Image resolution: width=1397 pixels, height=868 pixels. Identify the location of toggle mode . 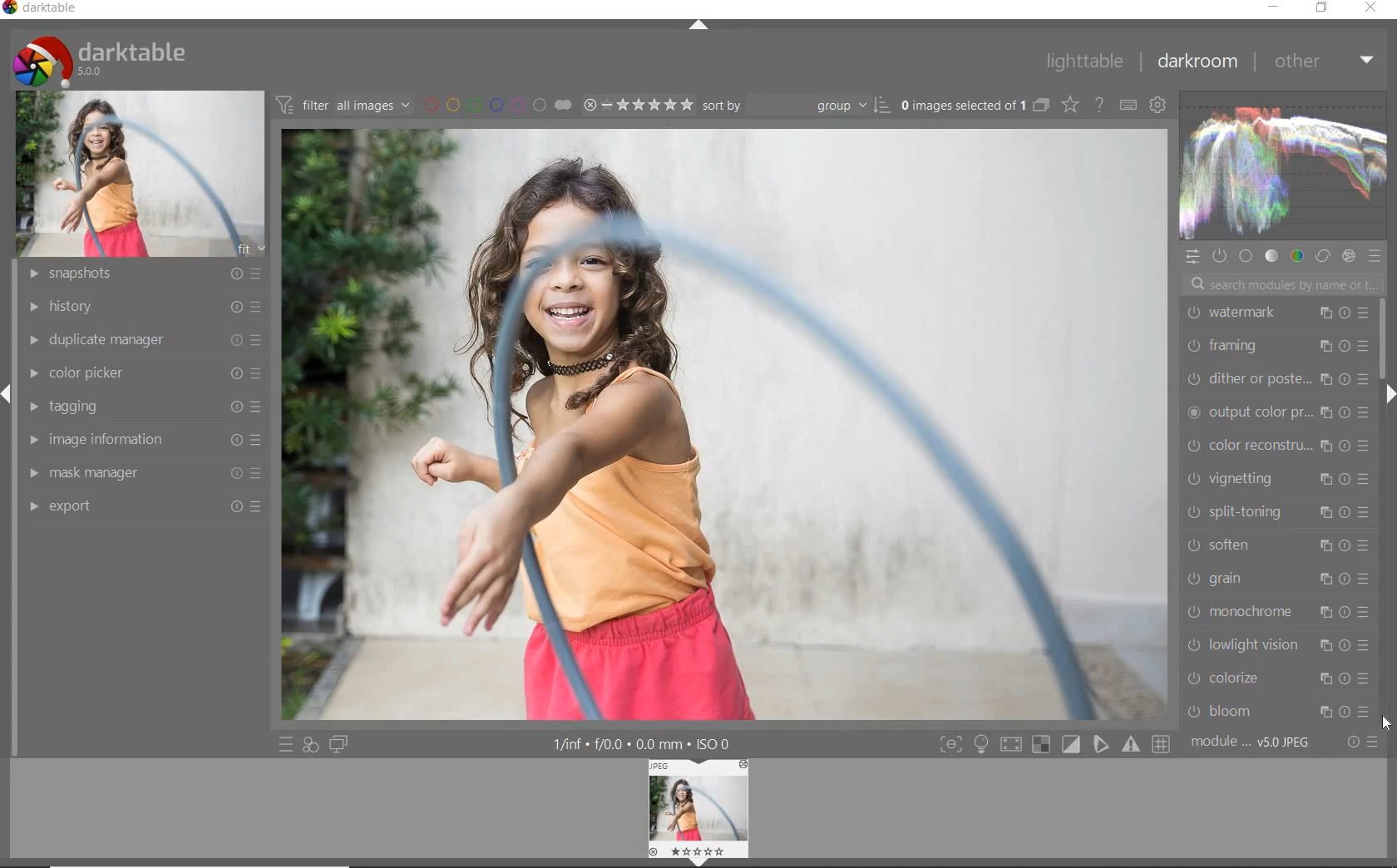
(1014, 743).